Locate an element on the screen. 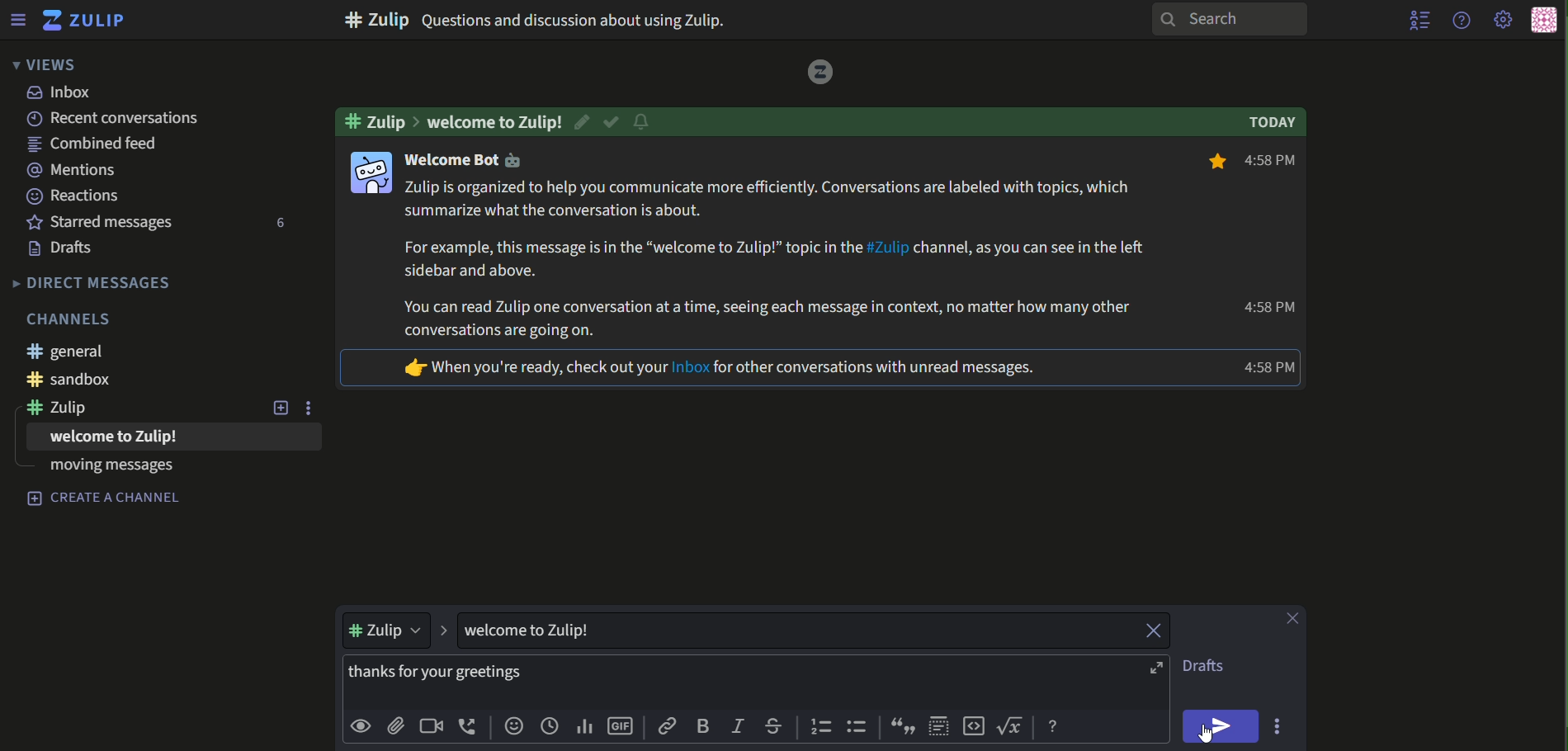  text is located at coordinates (106, 471).